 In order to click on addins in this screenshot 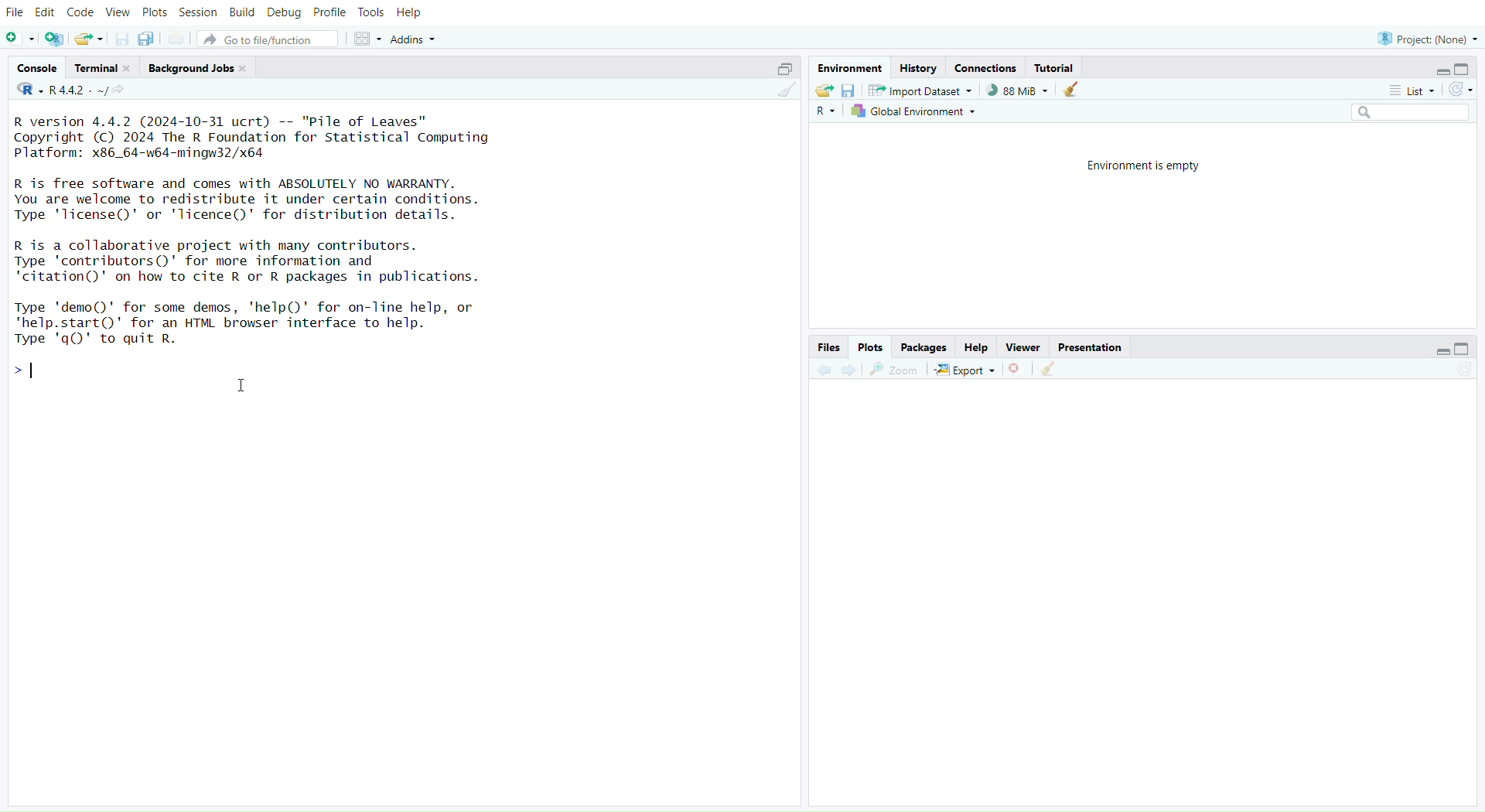, I will do `click(415, 39)`.